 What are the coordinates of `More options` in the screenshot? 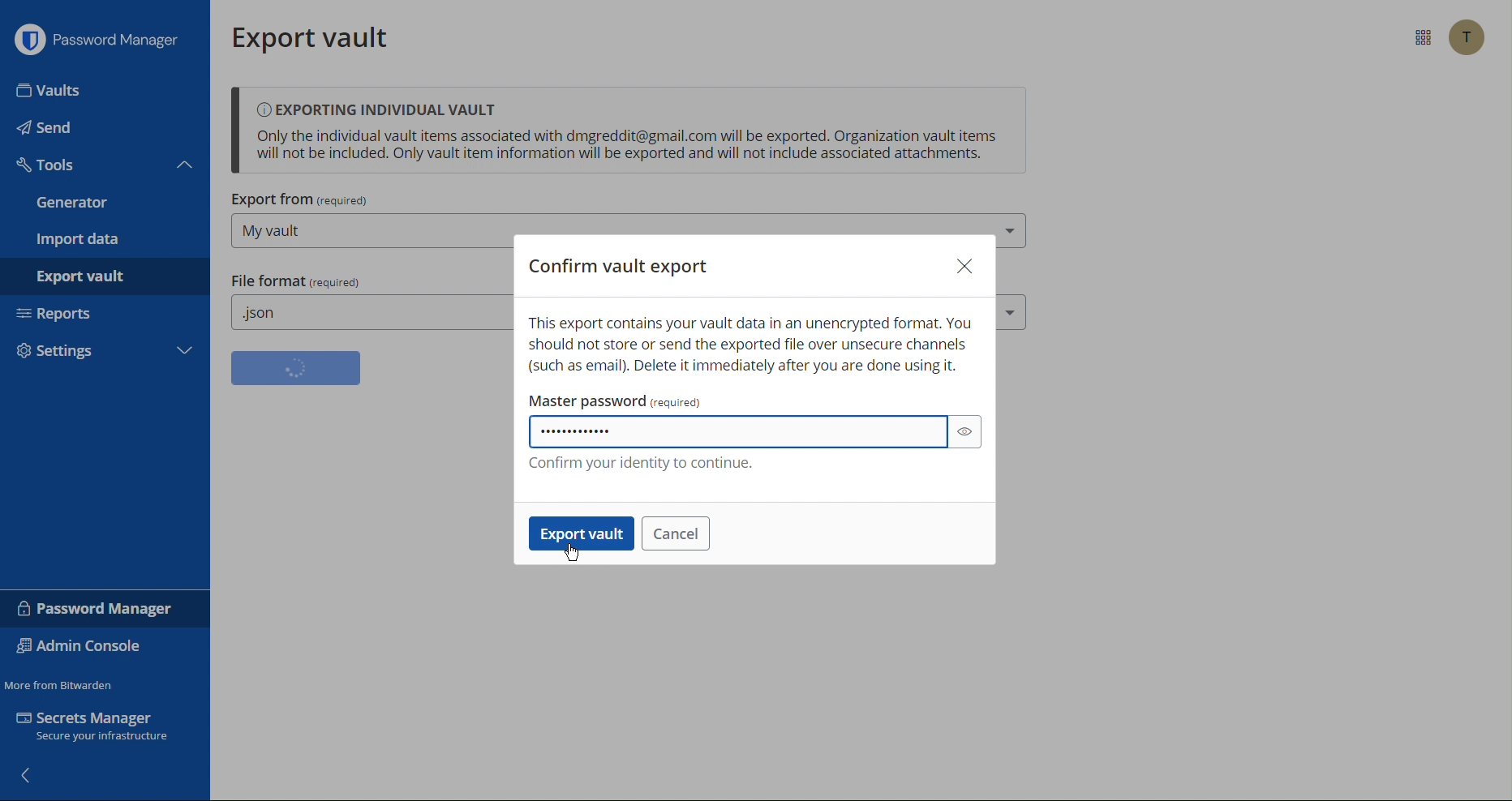 It's located at (1420, 38).